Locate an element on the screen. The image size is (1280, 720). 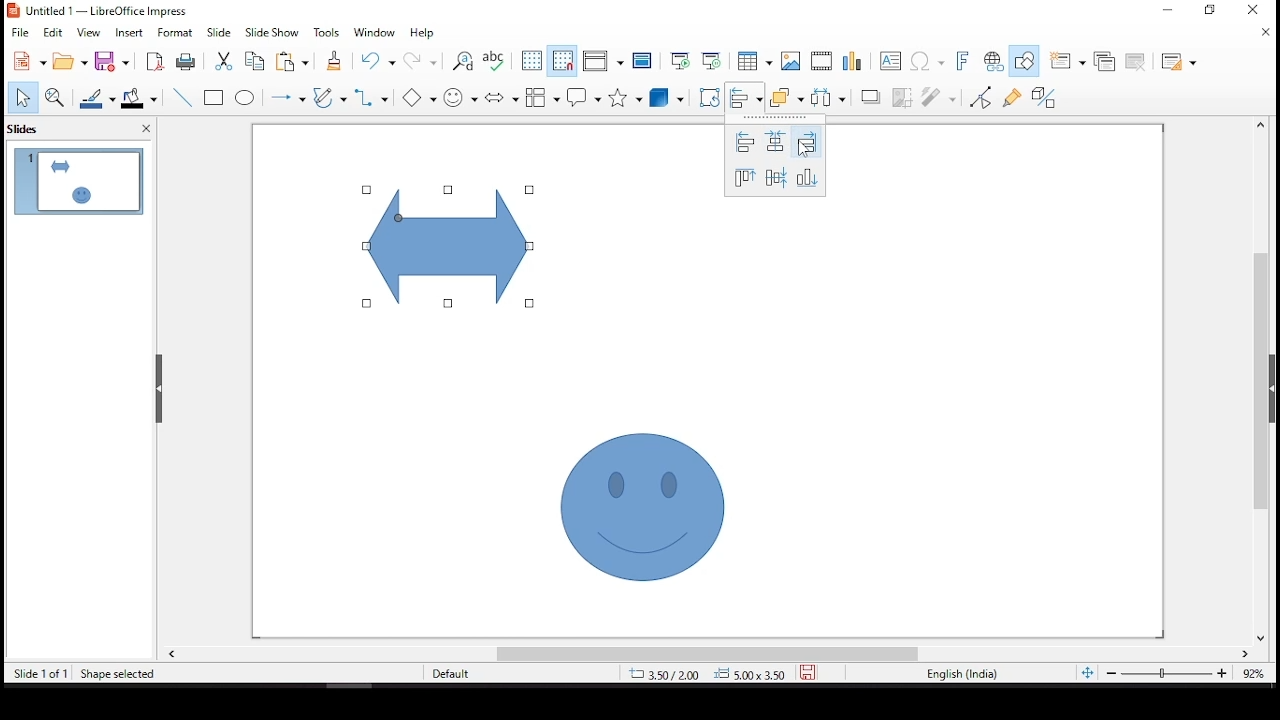
minimize is located at coordinates (1212, 11).